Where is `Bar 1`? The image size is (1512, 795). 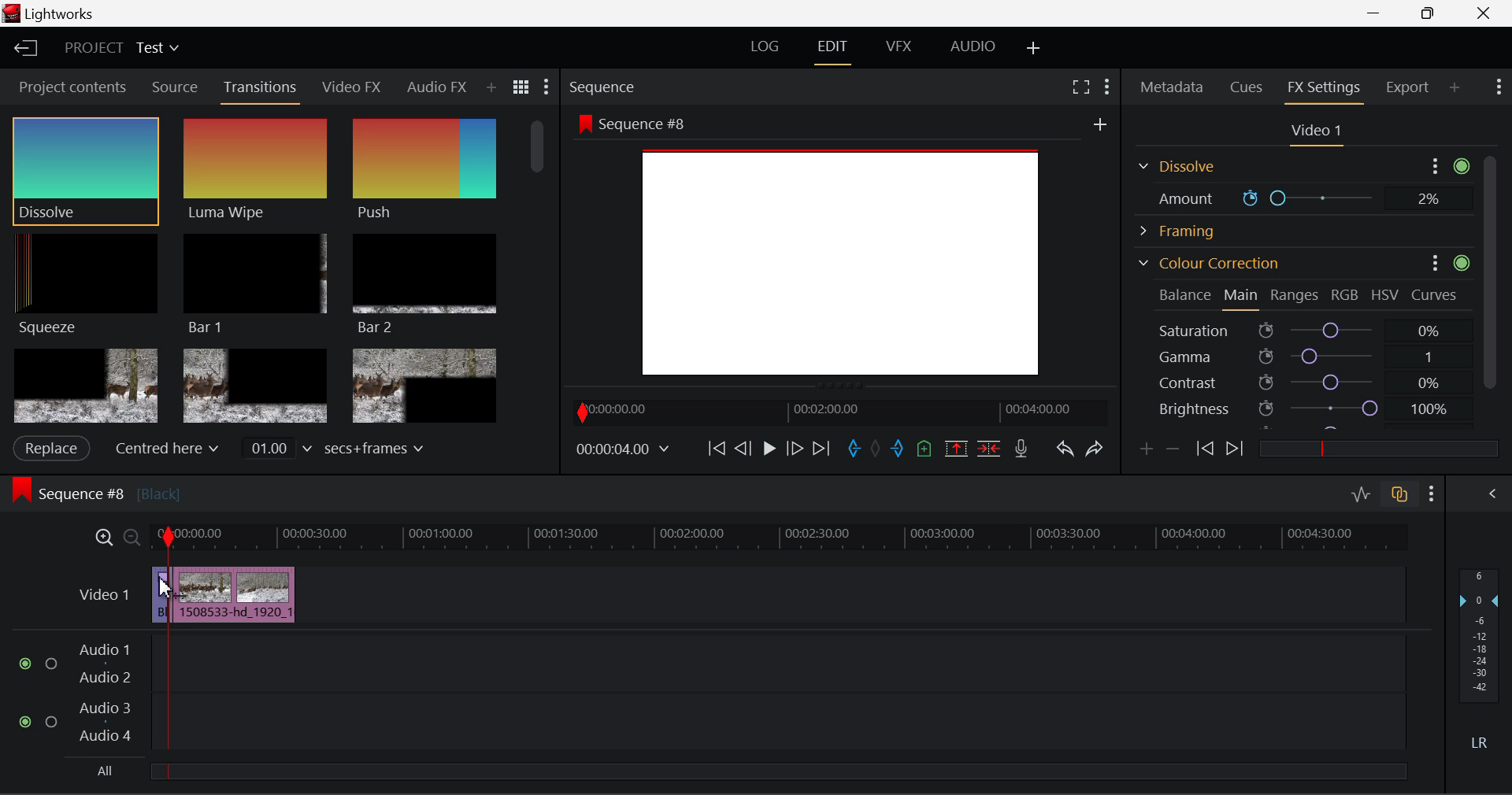 Bar 1 is located at coordinates (251, 284).